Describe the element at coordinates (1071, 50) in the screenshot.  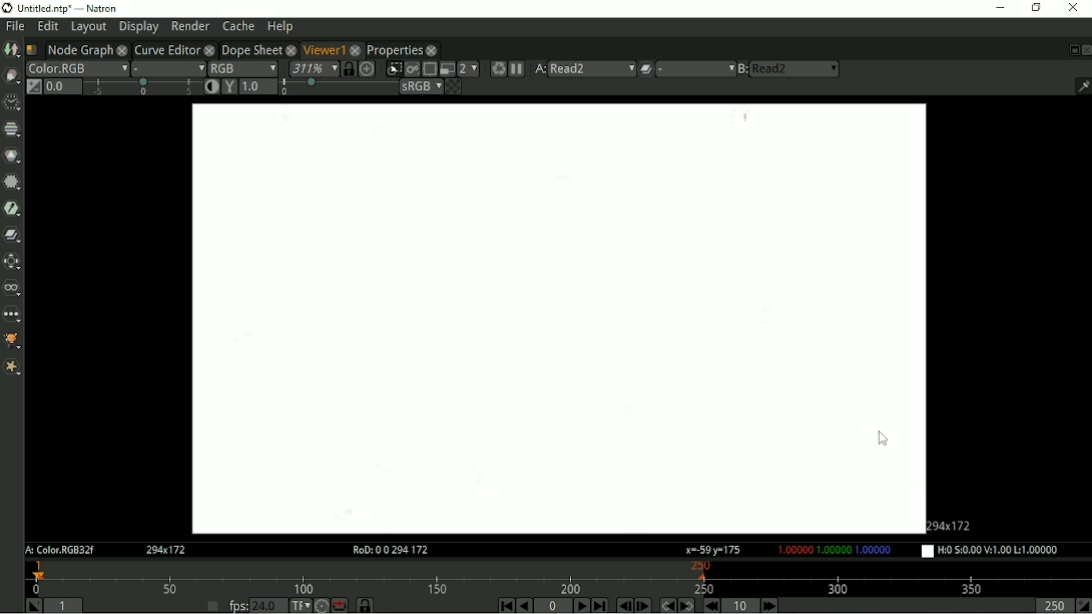
I see `Float pane` at that location.